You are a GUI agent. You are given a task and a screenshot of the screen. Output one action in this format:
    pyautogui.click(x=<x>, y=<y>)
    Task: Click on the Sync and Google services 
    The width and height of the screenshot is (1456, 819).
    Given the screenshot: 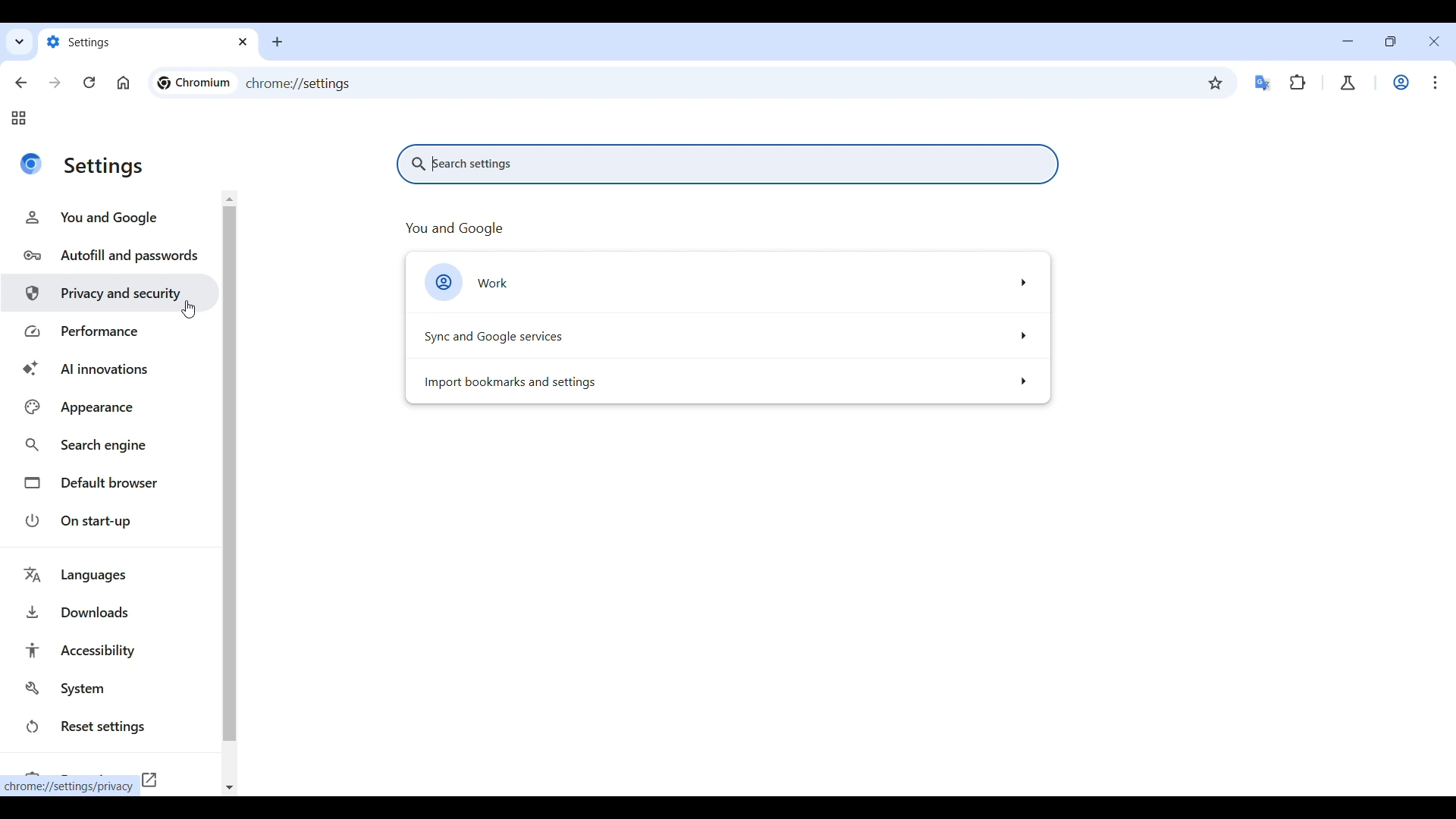 What is the action you would take?
    pyautogui.click(x=727, y=337)
    